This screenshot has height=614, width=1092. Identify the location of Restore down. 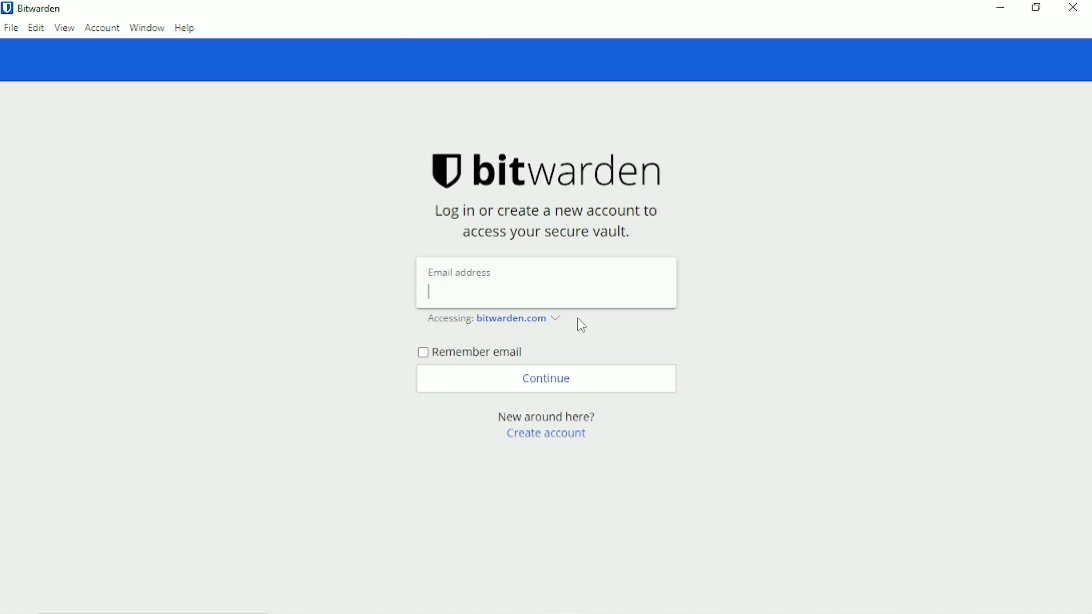
(1038, 9).